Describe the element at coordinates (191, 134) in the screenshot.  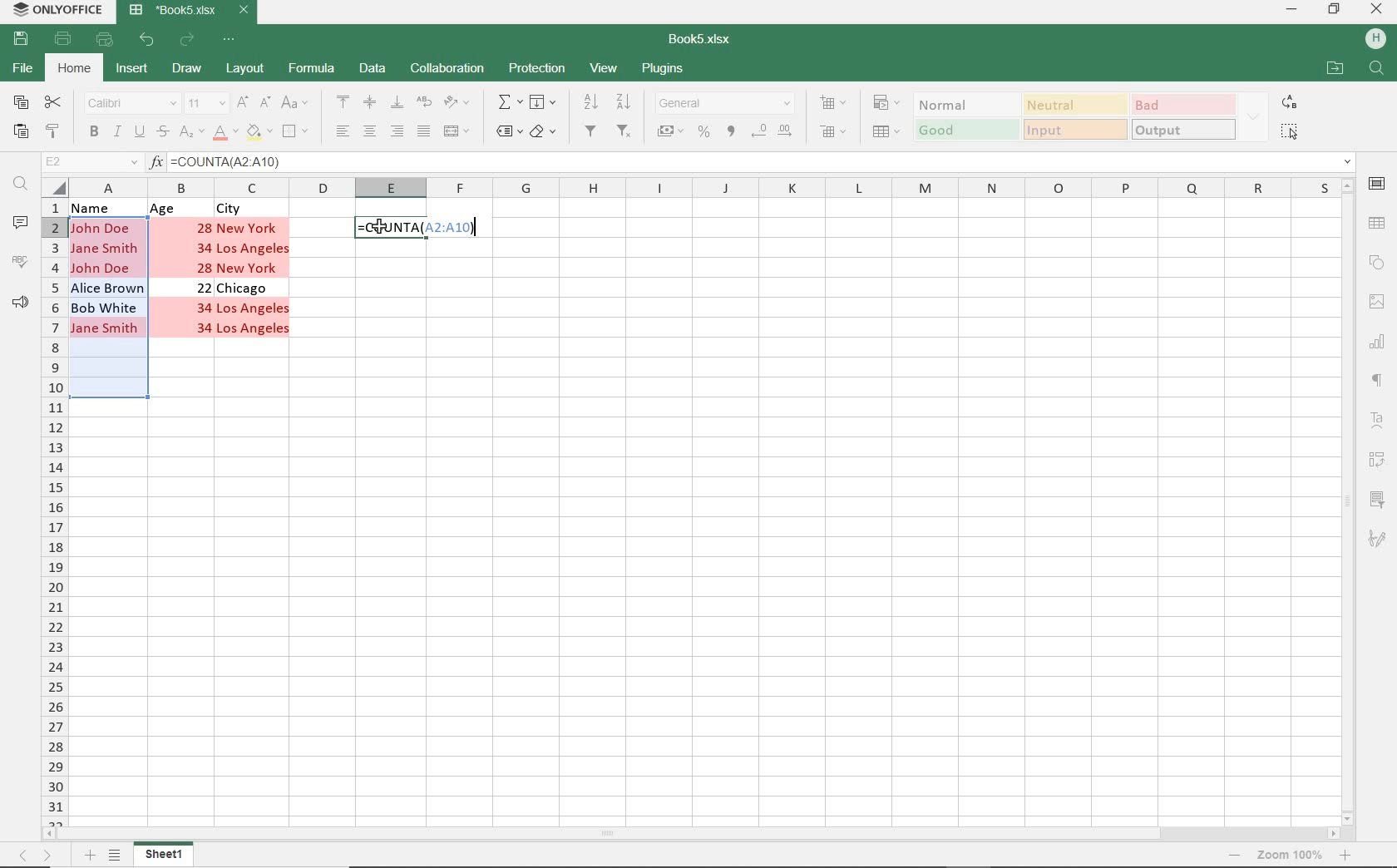
I see `SUBSCRIPT/SUPERSCRIPT` at that location.